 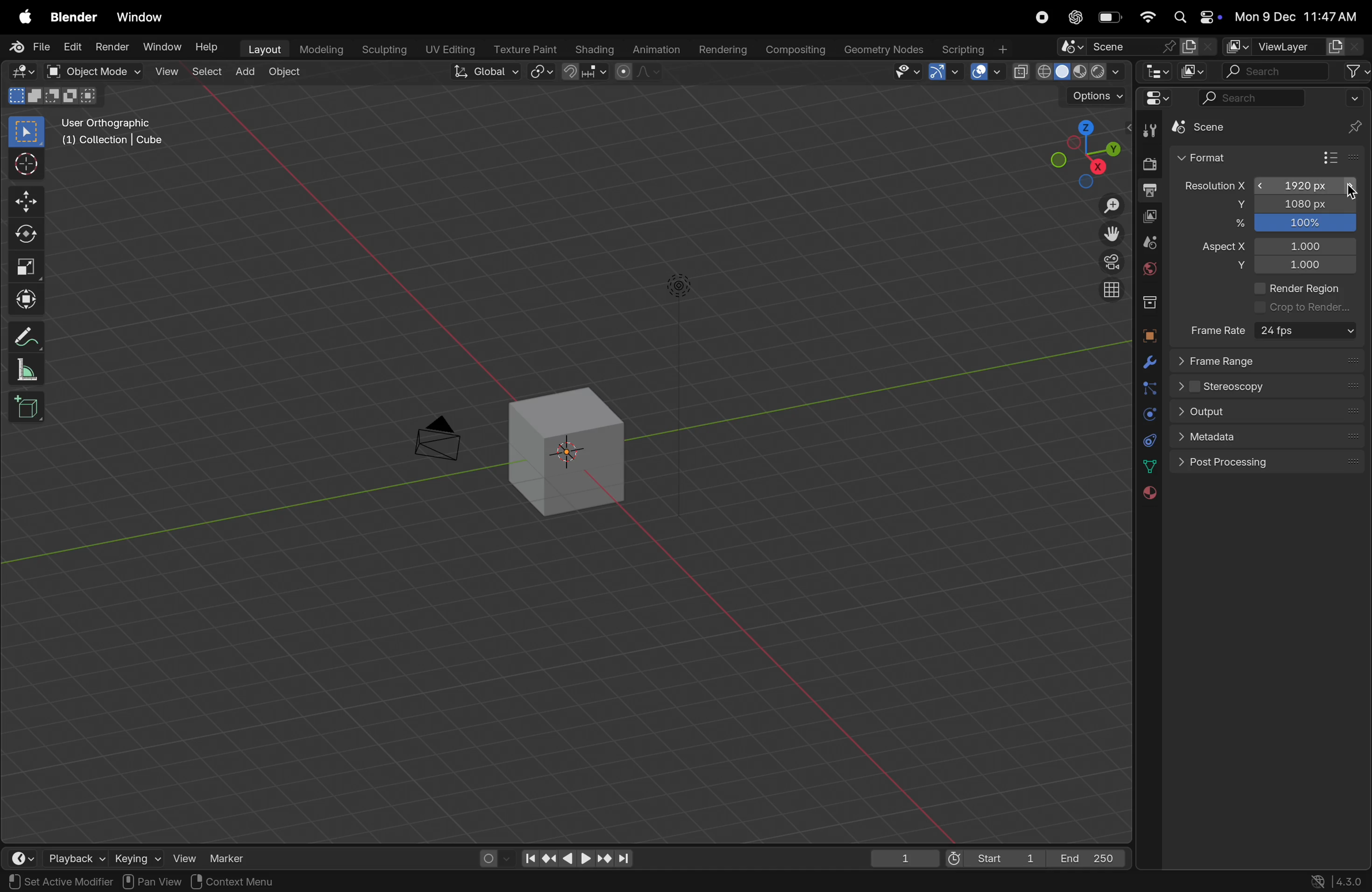 What do you see at coordinates (184, 856) in the screenshot?
I see `view` at bounding box center [184, 856].